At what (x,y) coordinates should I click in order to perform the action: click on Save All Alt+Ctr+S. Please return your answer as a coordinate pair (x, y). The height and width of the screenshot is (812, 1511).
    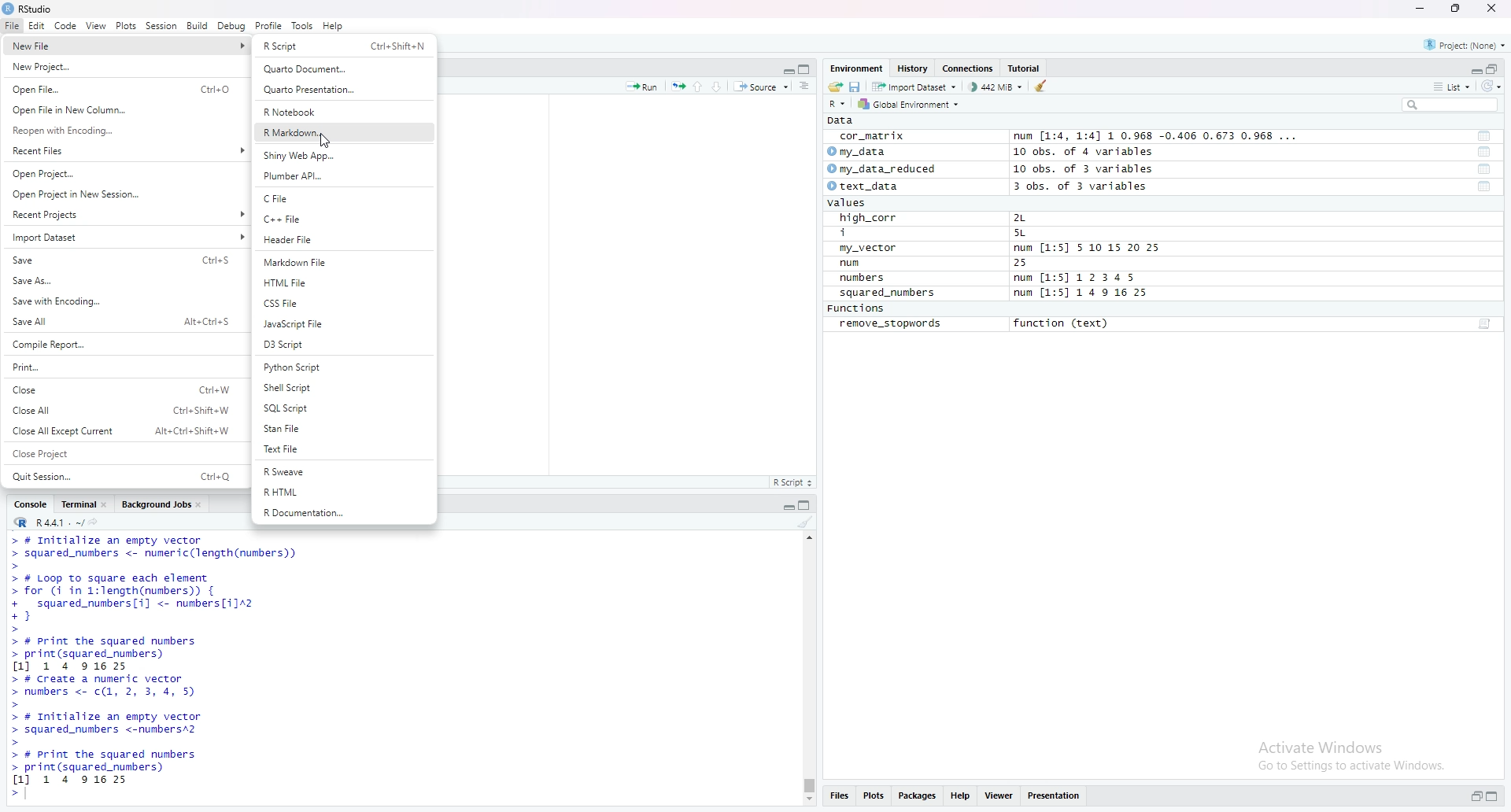
    Looking at the image, I should click on (122, 322).